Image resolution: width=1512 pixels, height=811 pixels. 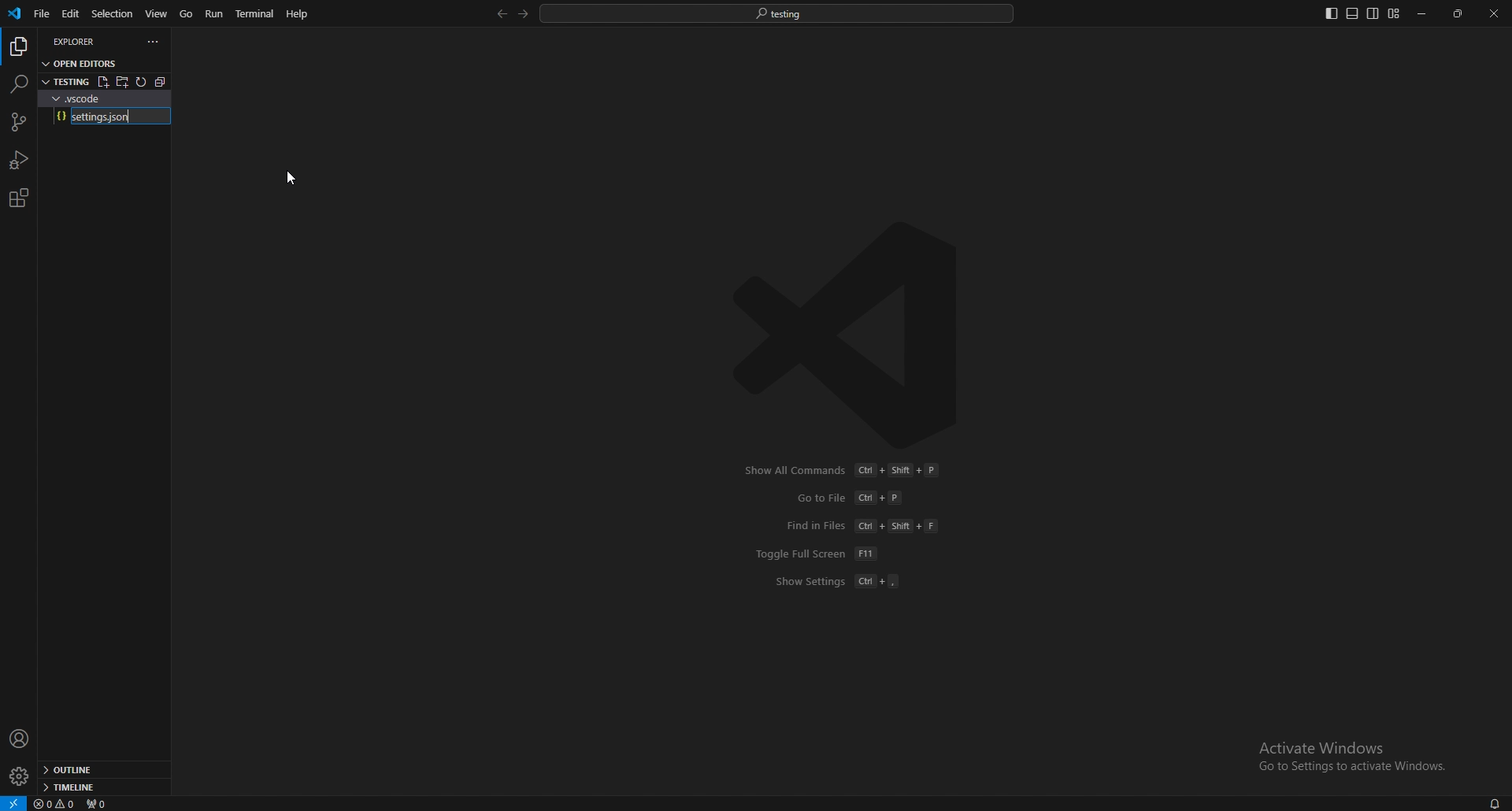 What do you see at coordinates (777, 13) in the screenshot?
I see `search bar` at bounding box center [777, 13].